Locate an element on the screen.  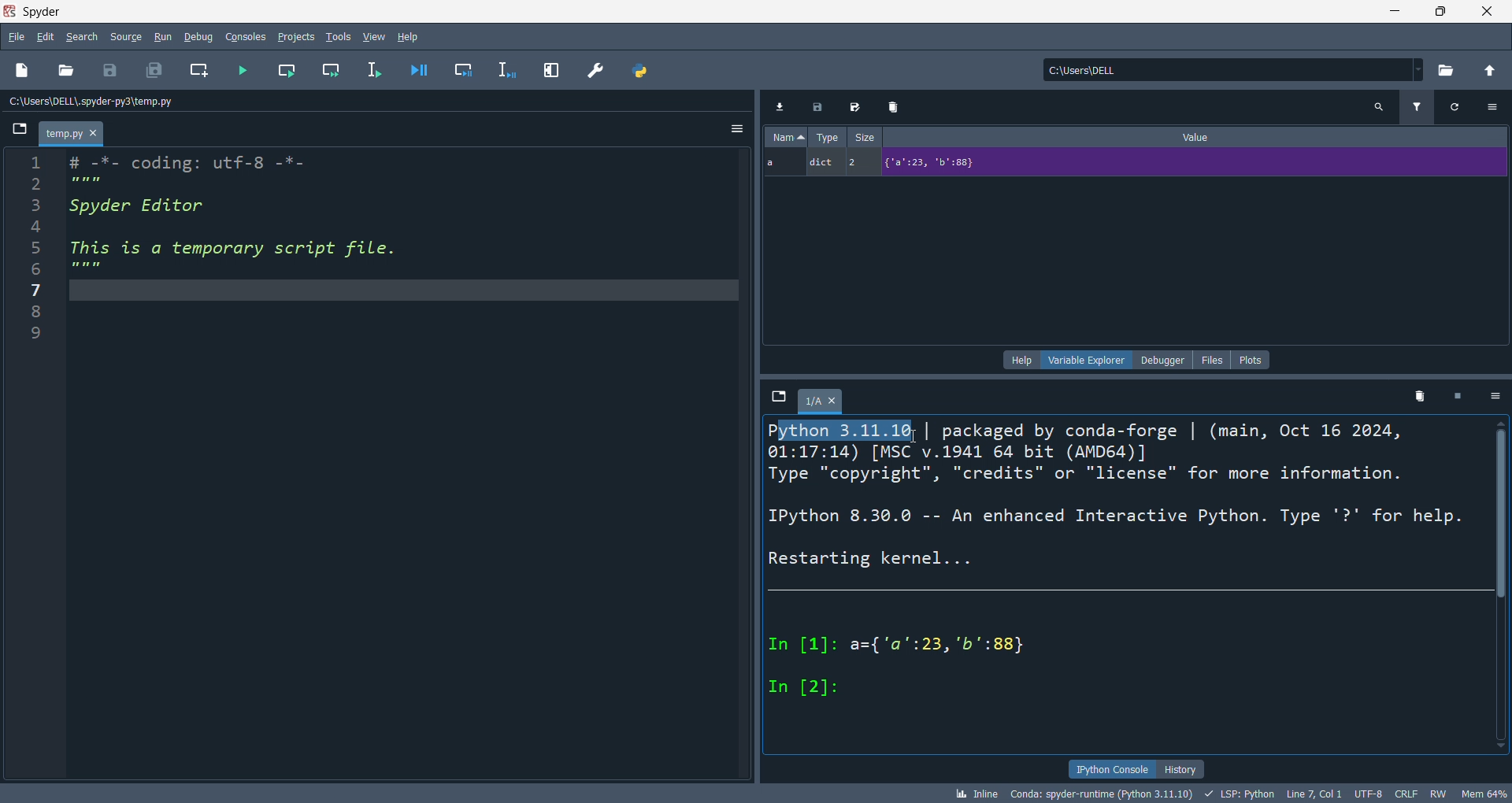
browse tabs is located at coordinates (20, 132).